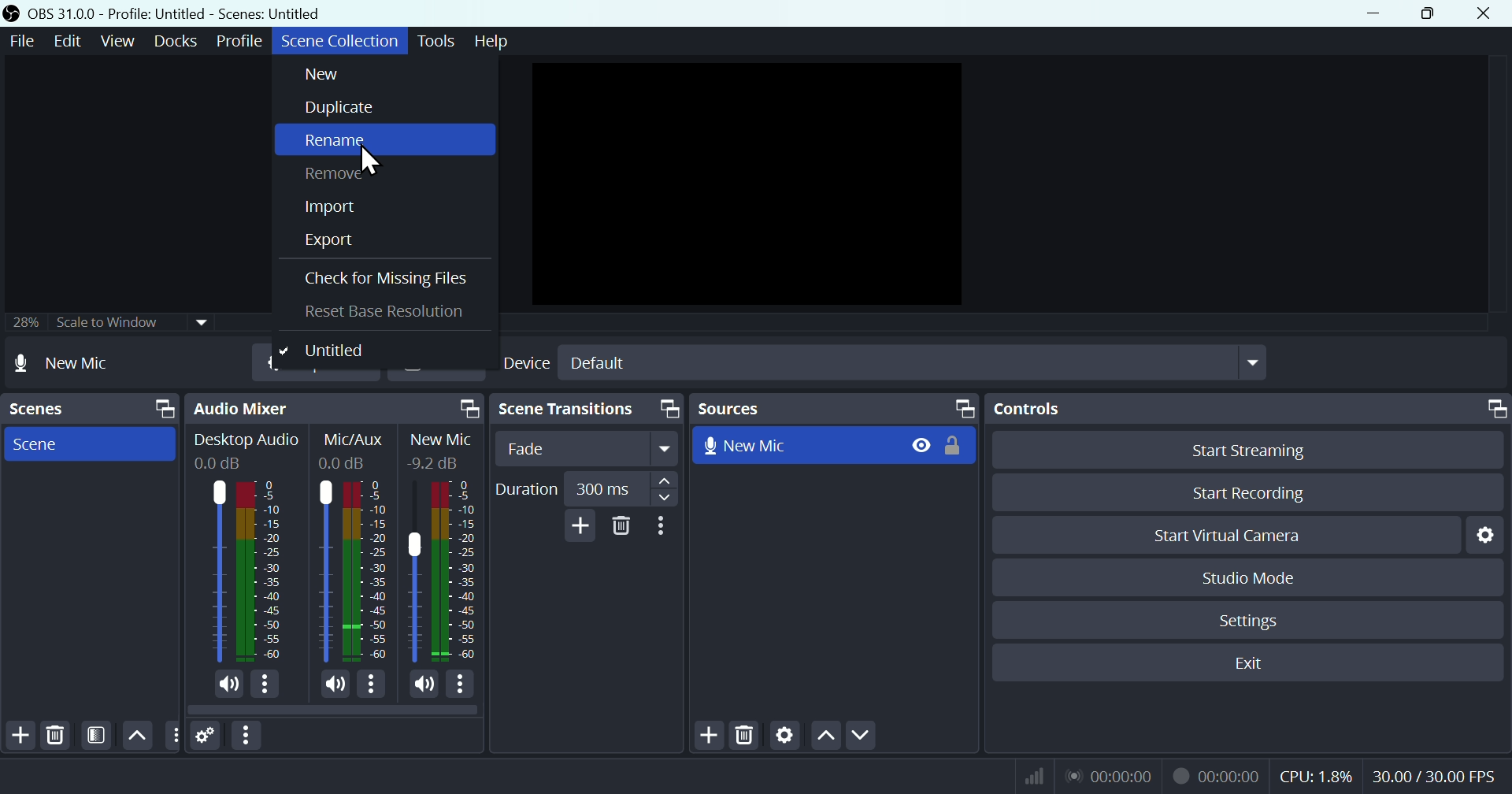  What do you see at coordinates (835, 406) in the screenshot?
I see `Sources` at bounding box center [835, 406].